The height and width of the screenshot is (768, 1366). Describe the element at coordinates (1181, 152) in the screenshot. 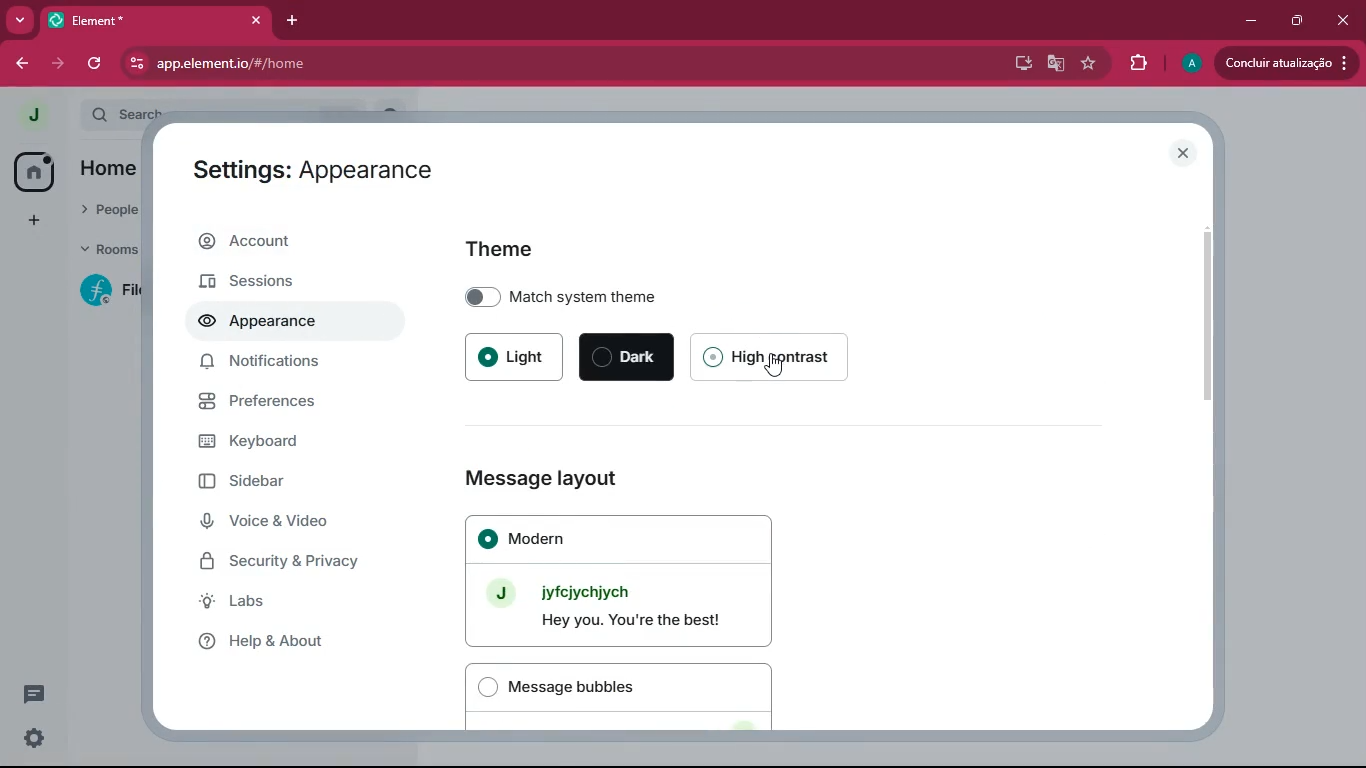

I see `close` at that location.